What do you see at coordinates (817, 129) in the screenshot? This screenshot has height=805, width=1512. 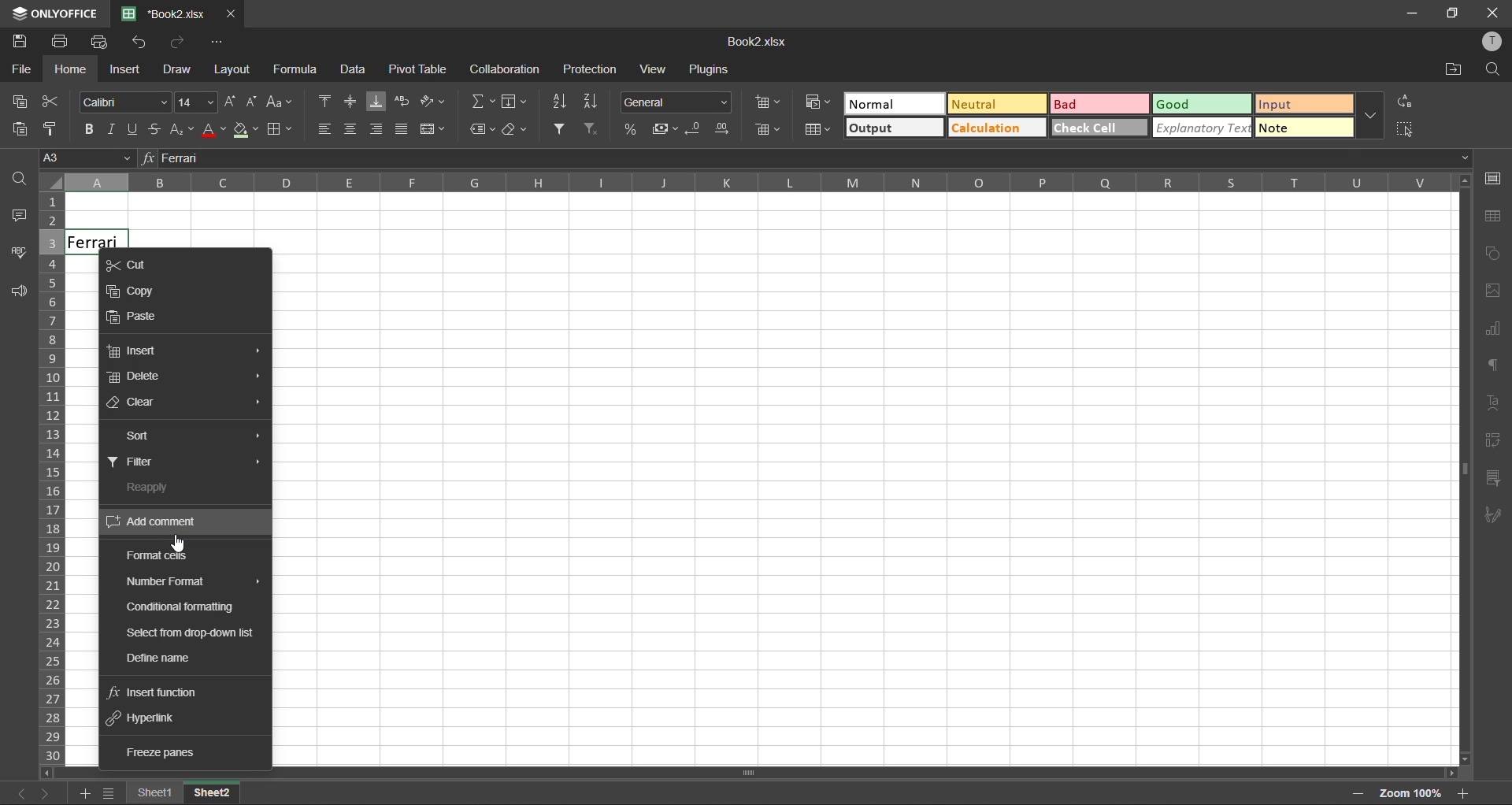 I see `format as table` at bounding box center [817, 129].